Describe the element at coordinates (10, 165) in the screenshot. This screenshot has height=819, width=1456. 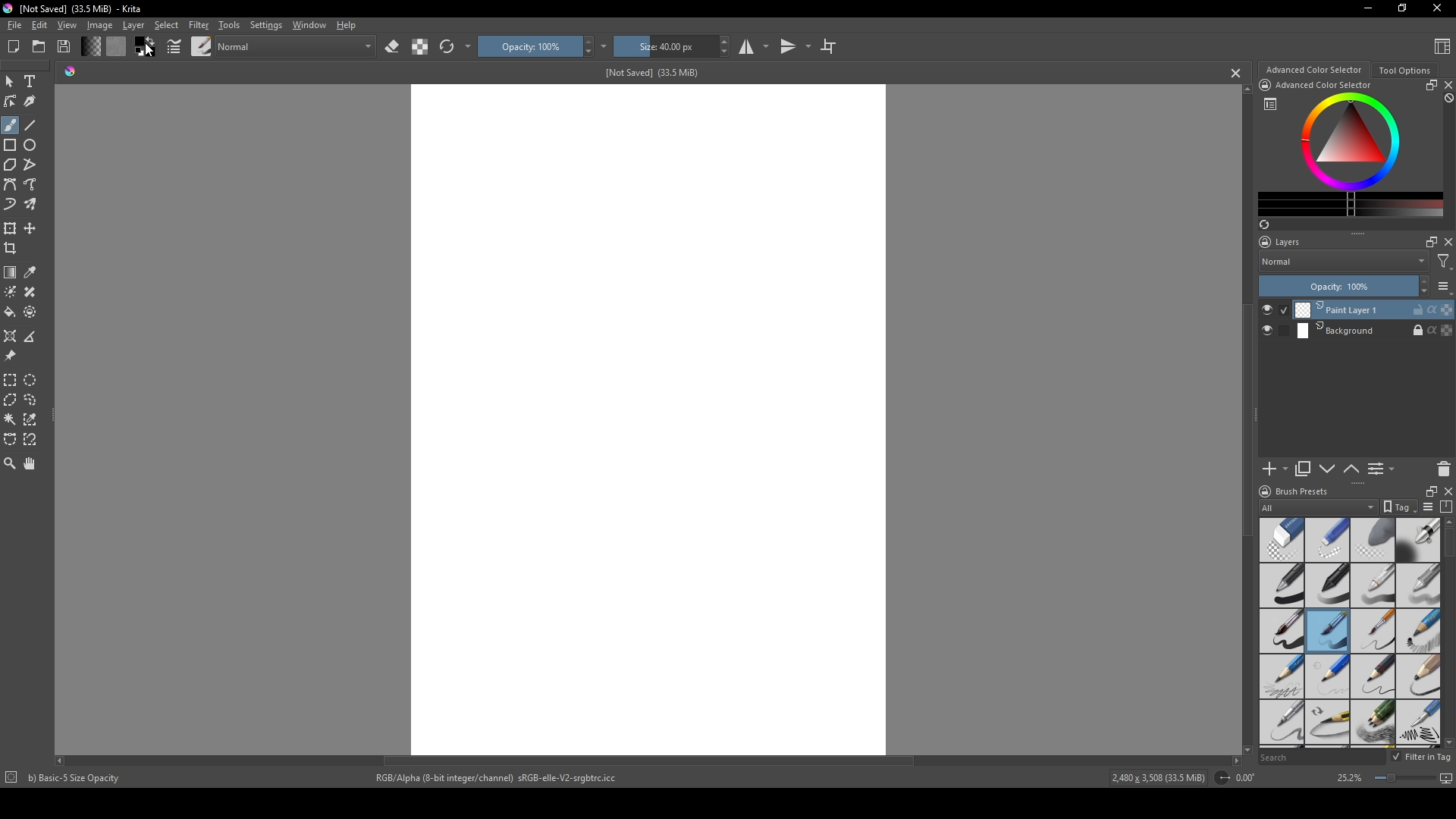
I see `polygon` at that location.